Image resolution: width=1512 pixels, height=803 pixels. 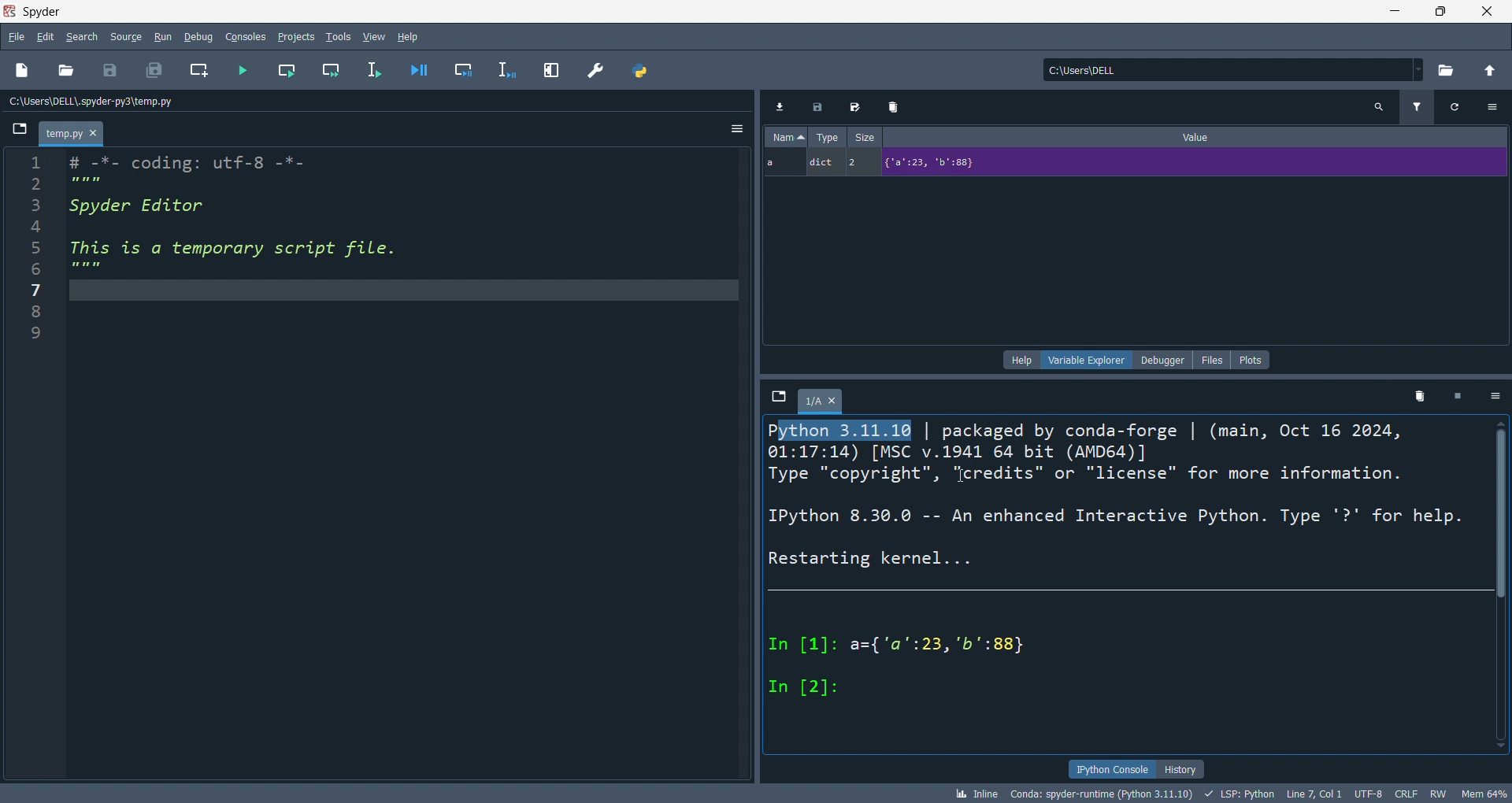 I want to click on scroll bar, so click(x=1503, y=590).